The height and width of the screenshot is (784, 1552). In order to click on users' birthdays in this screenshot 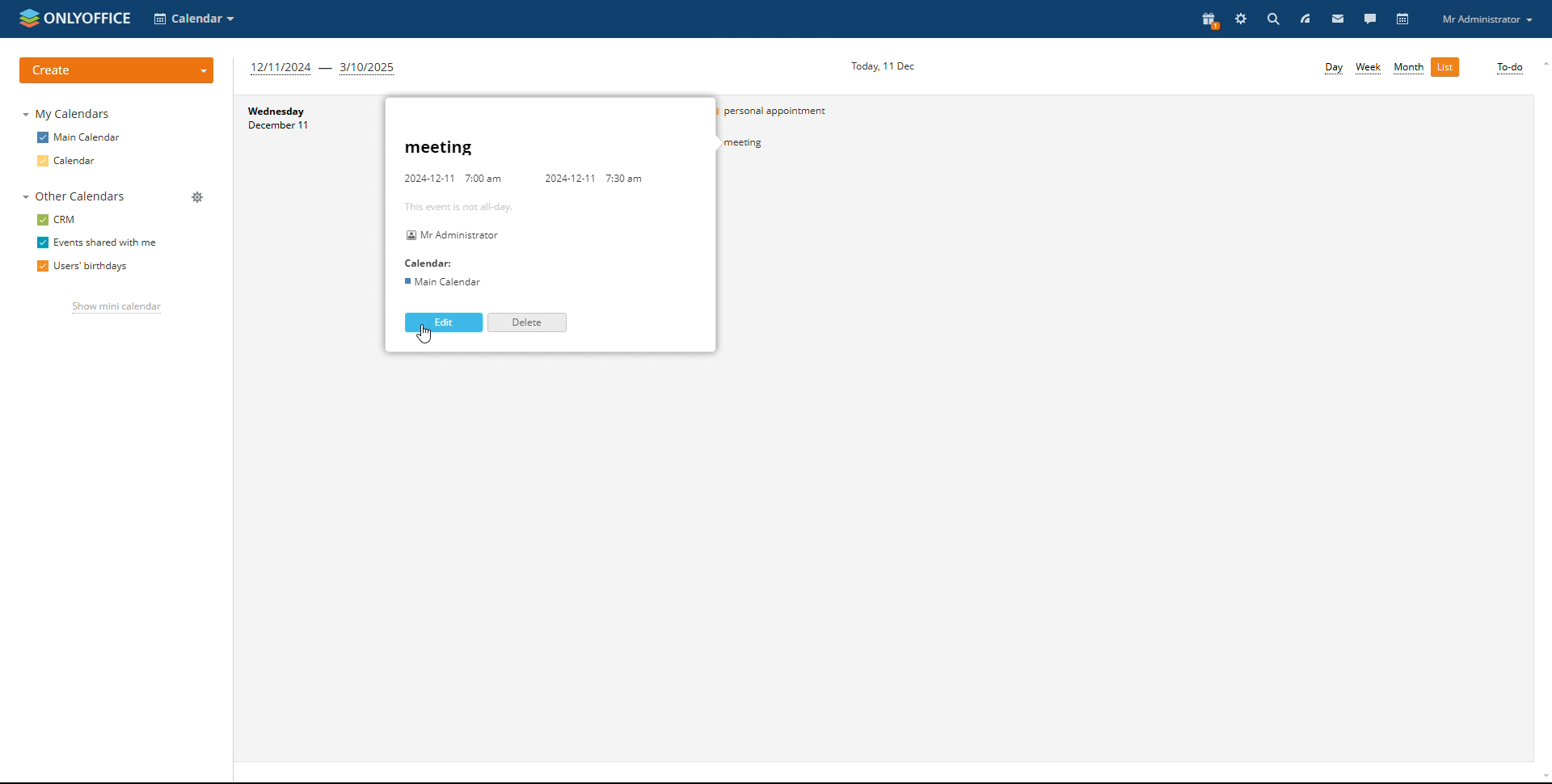, I will do `click(82, 268)`.